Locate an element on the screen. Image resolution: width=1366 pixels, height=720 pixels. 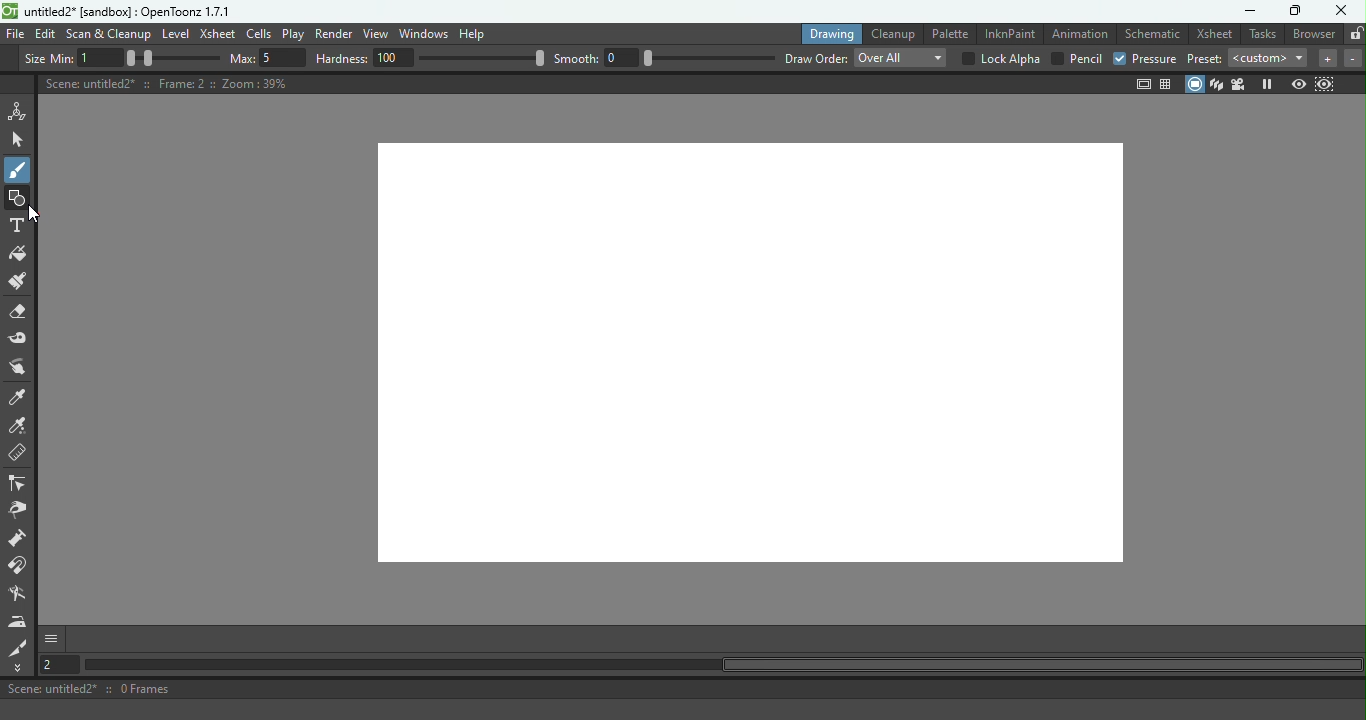
3D view is located at coordinates (1219, 85).